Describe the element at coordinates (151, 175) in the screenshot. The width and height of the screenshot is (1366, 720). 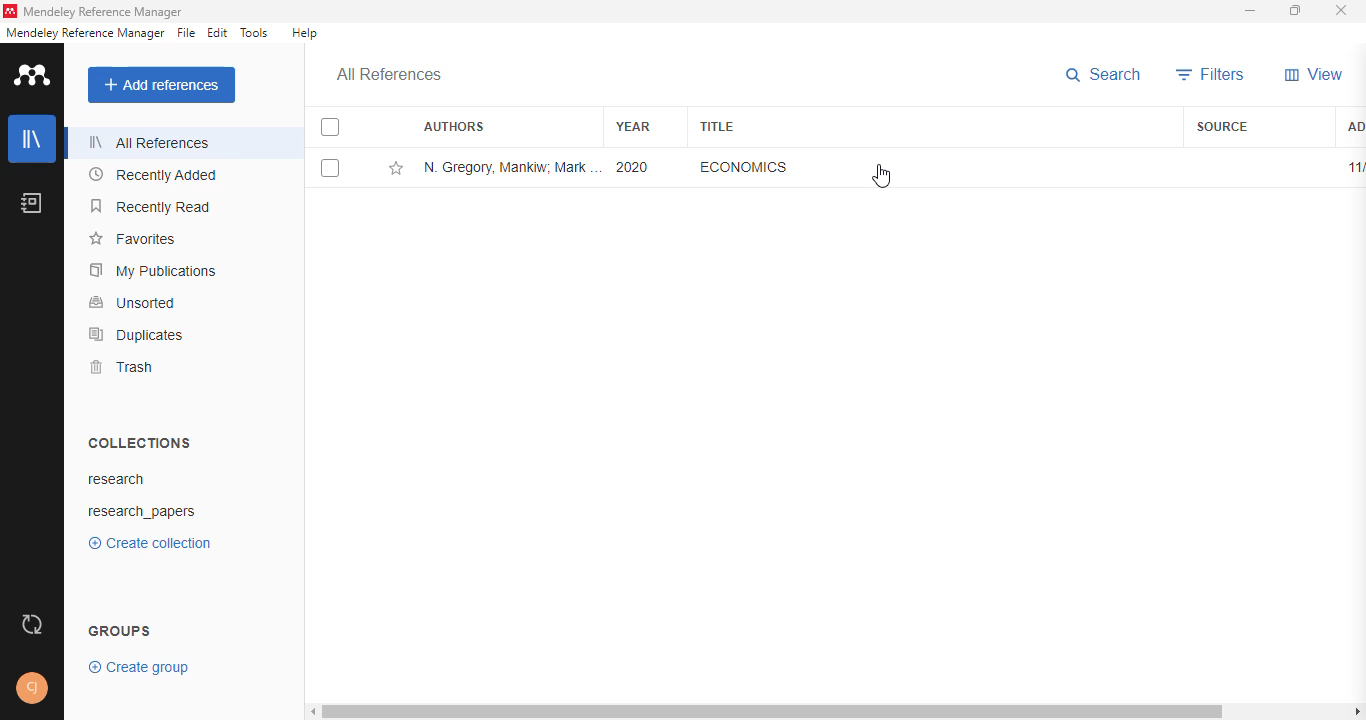
I see `recently added` at that location.